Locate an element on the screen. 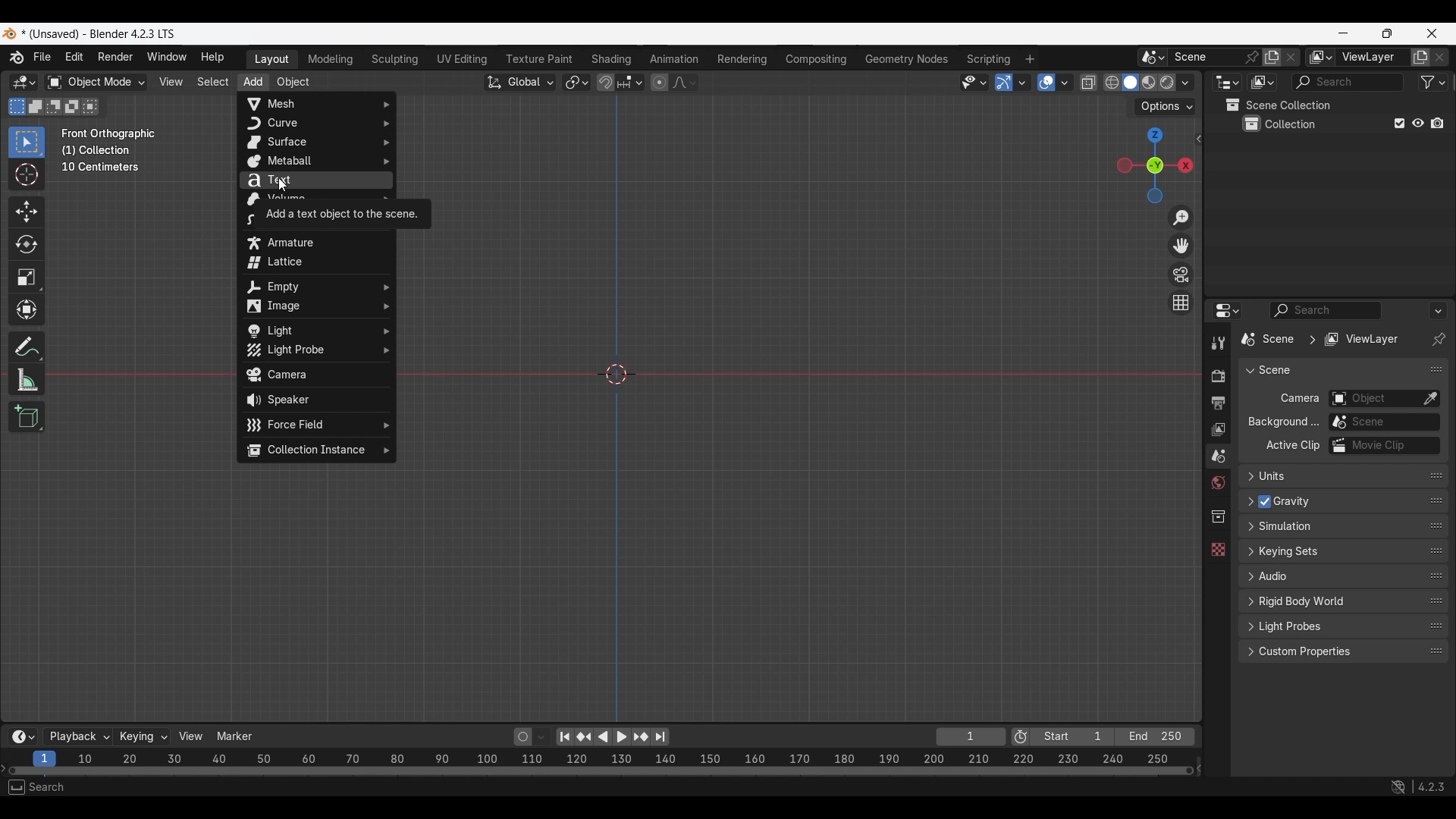 The height and width of the screenshot is (819, 1456). Active movie clip is located at coordinates (1384, 445).